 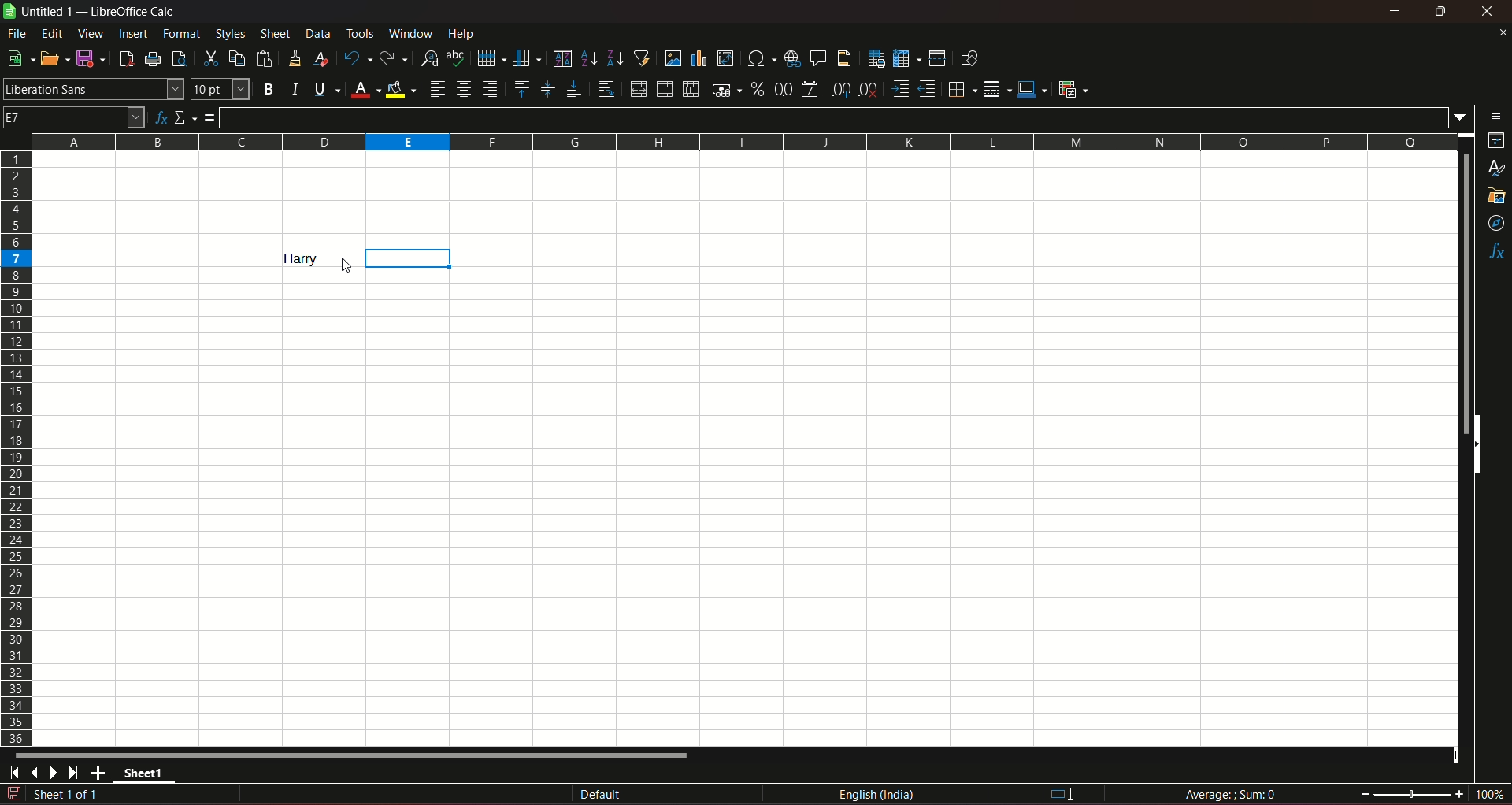 What do you see at coordinates (13, 794) in the screenshot?
I see `document modified` at bounding box center [13, 794].